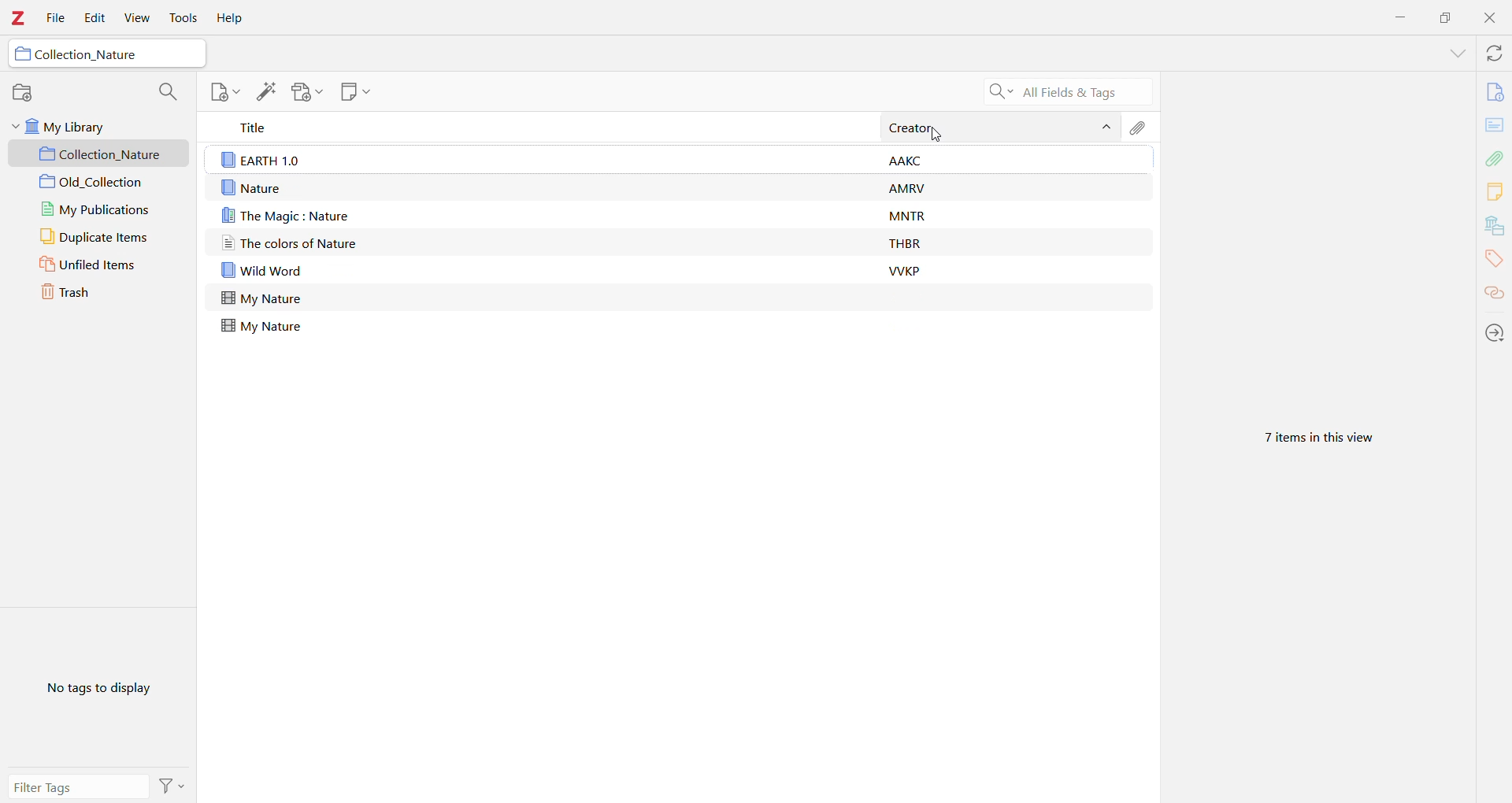  What do you see at coordinates (1494, 294) in the screenshot?
I see `Related` at bounding box center [1494, 294].